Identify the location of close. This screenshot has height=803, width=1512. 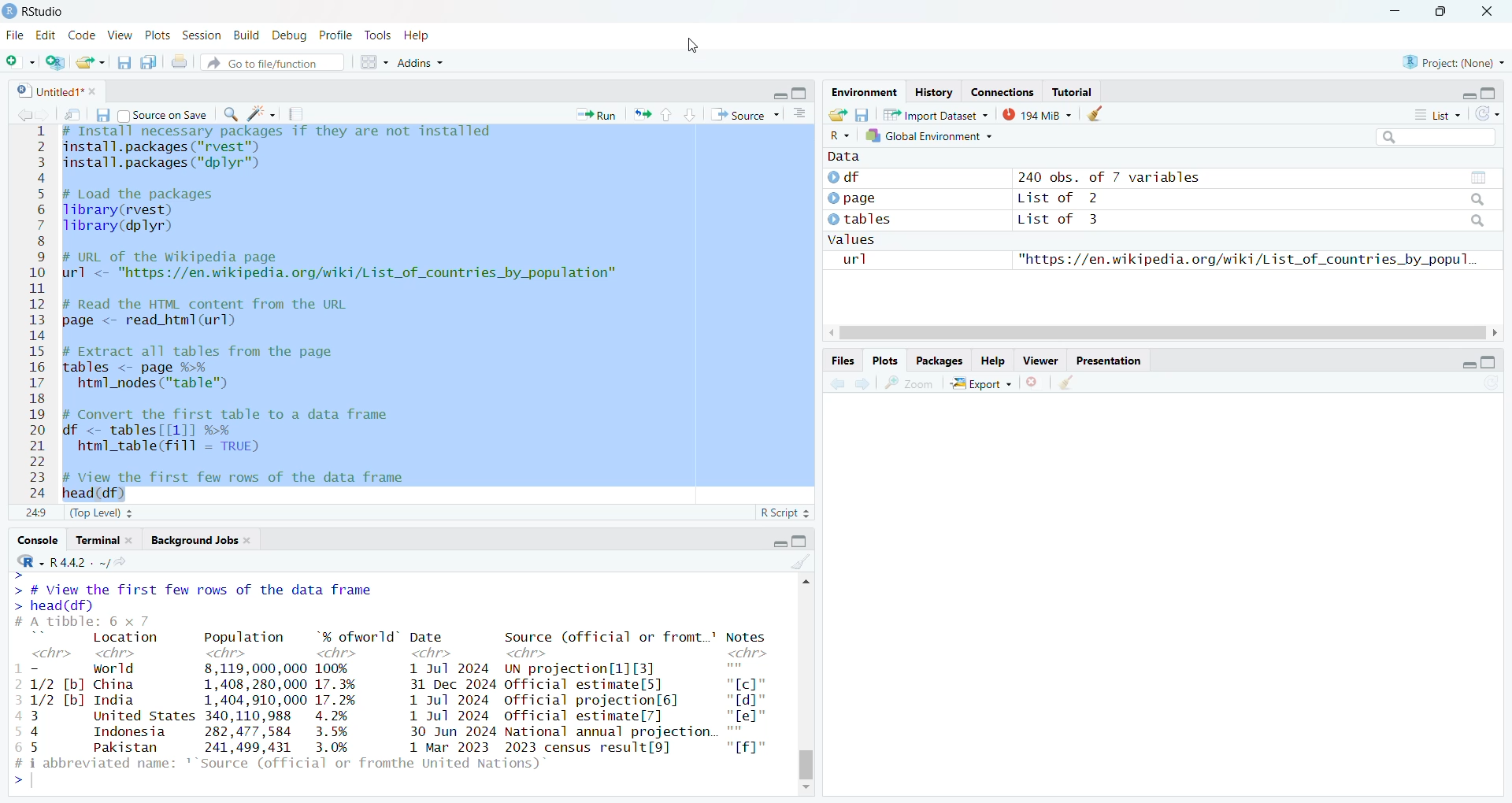
(250, 540).